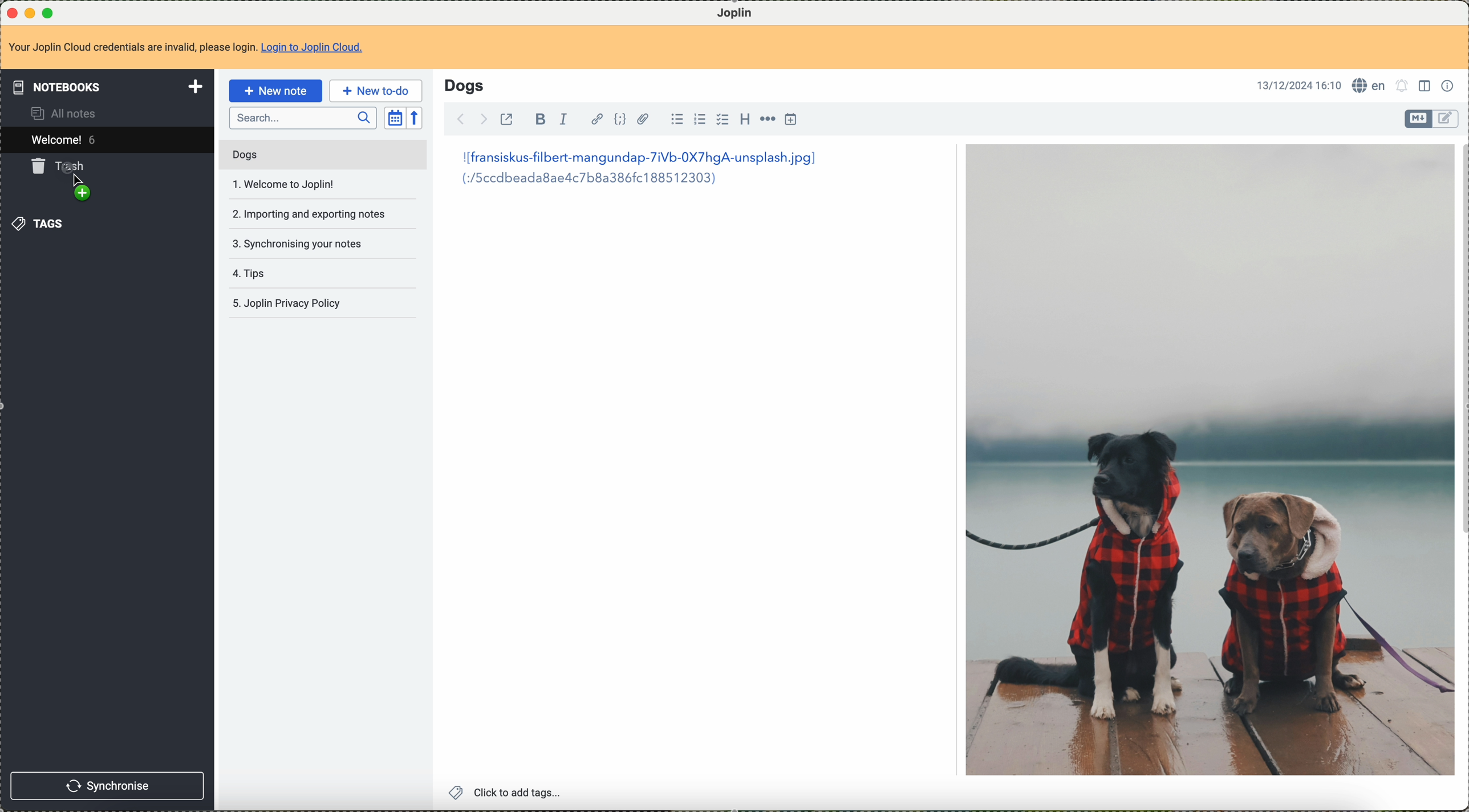 The width and height of the screenshot is (1469, 812). I want to click on welcome to joplin, so click(286, 184).